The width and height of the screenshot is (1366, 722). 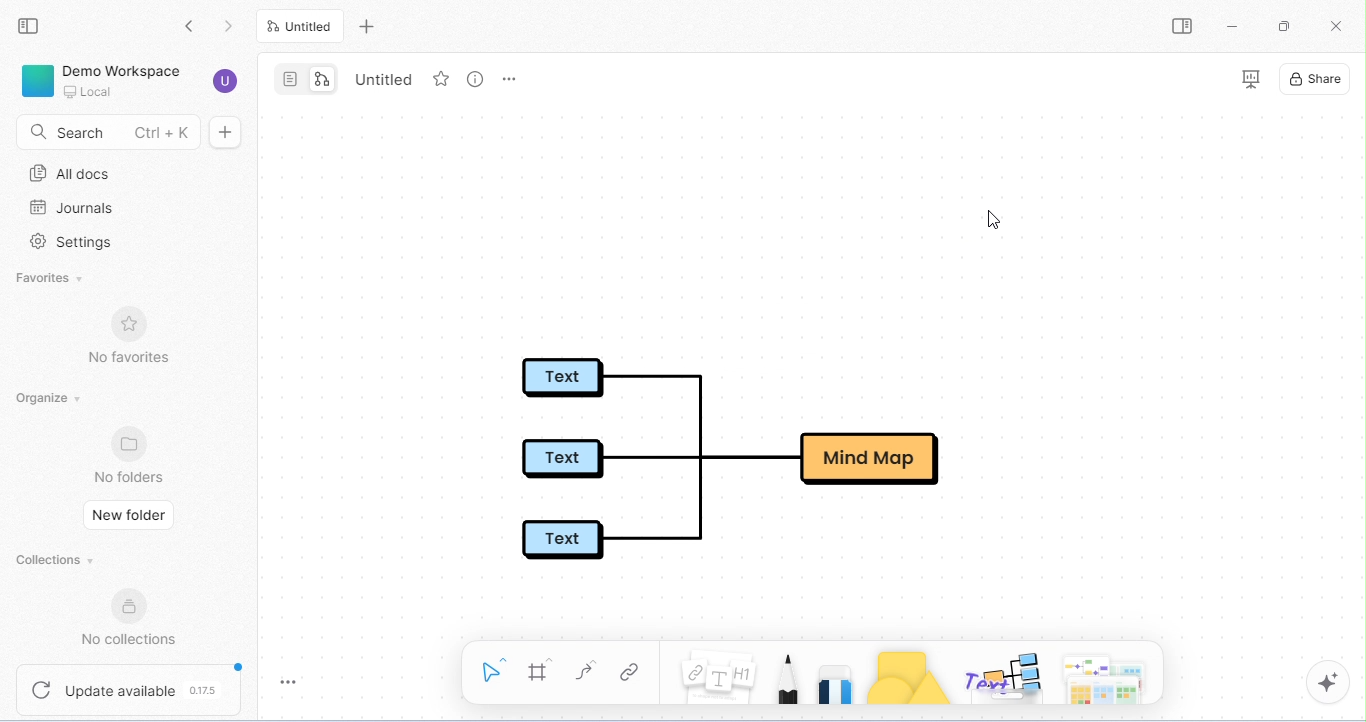 What do you see at coordinates (71, 209) in the screenshot?
I see `journal` at bounding box center [71, 209].